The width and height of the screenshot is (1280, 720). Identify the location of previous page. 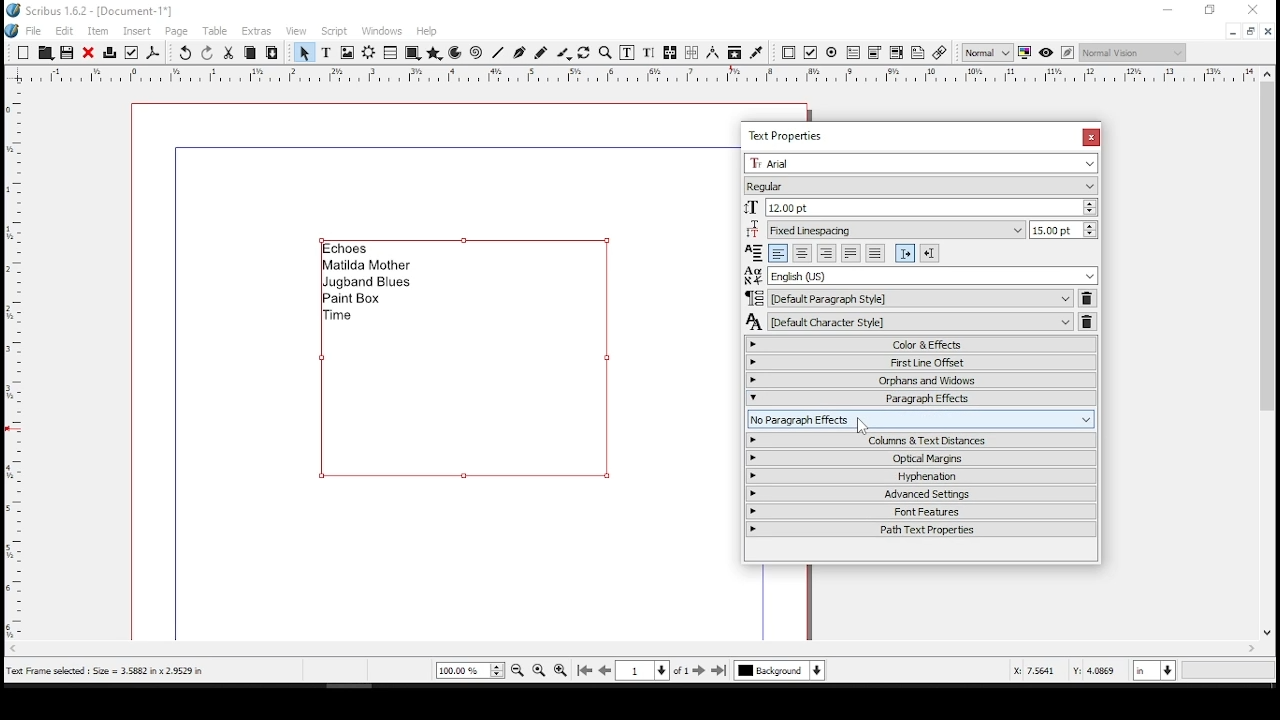
(606, 670).